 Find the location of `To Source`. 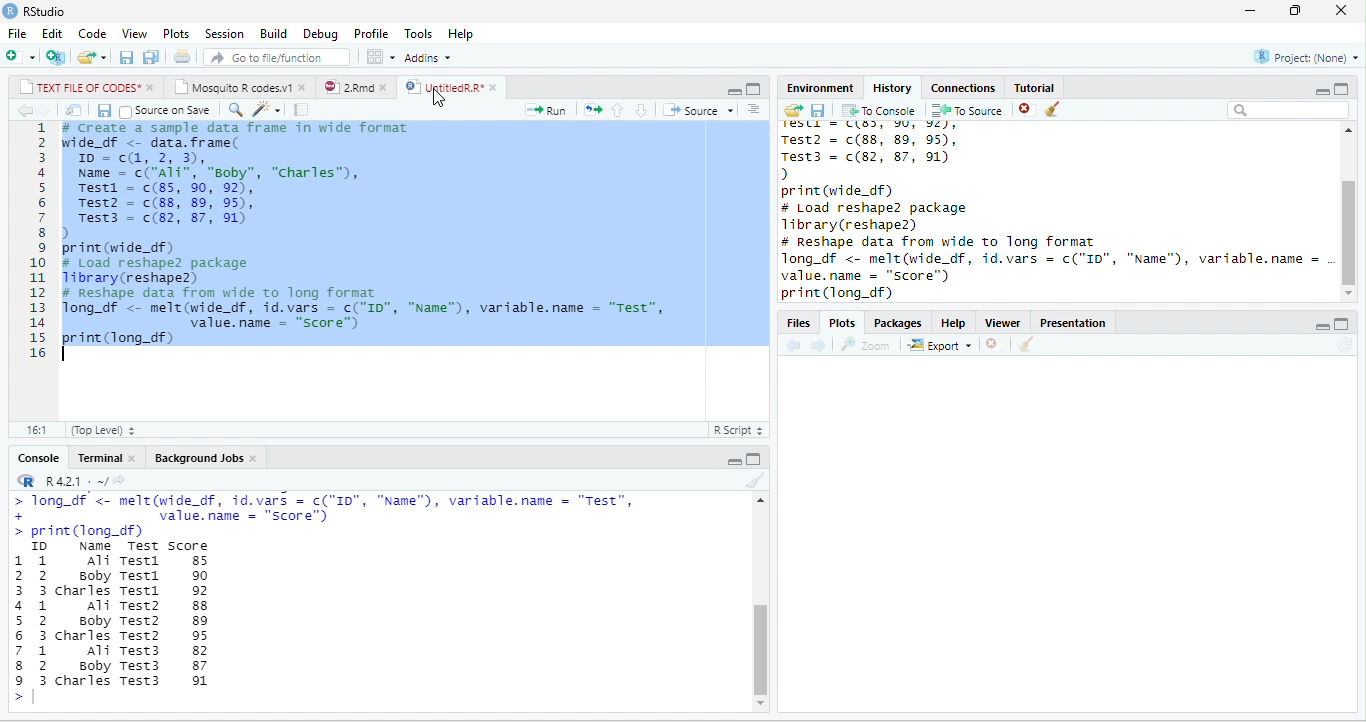

To Source is located at coordinates (968, 109).